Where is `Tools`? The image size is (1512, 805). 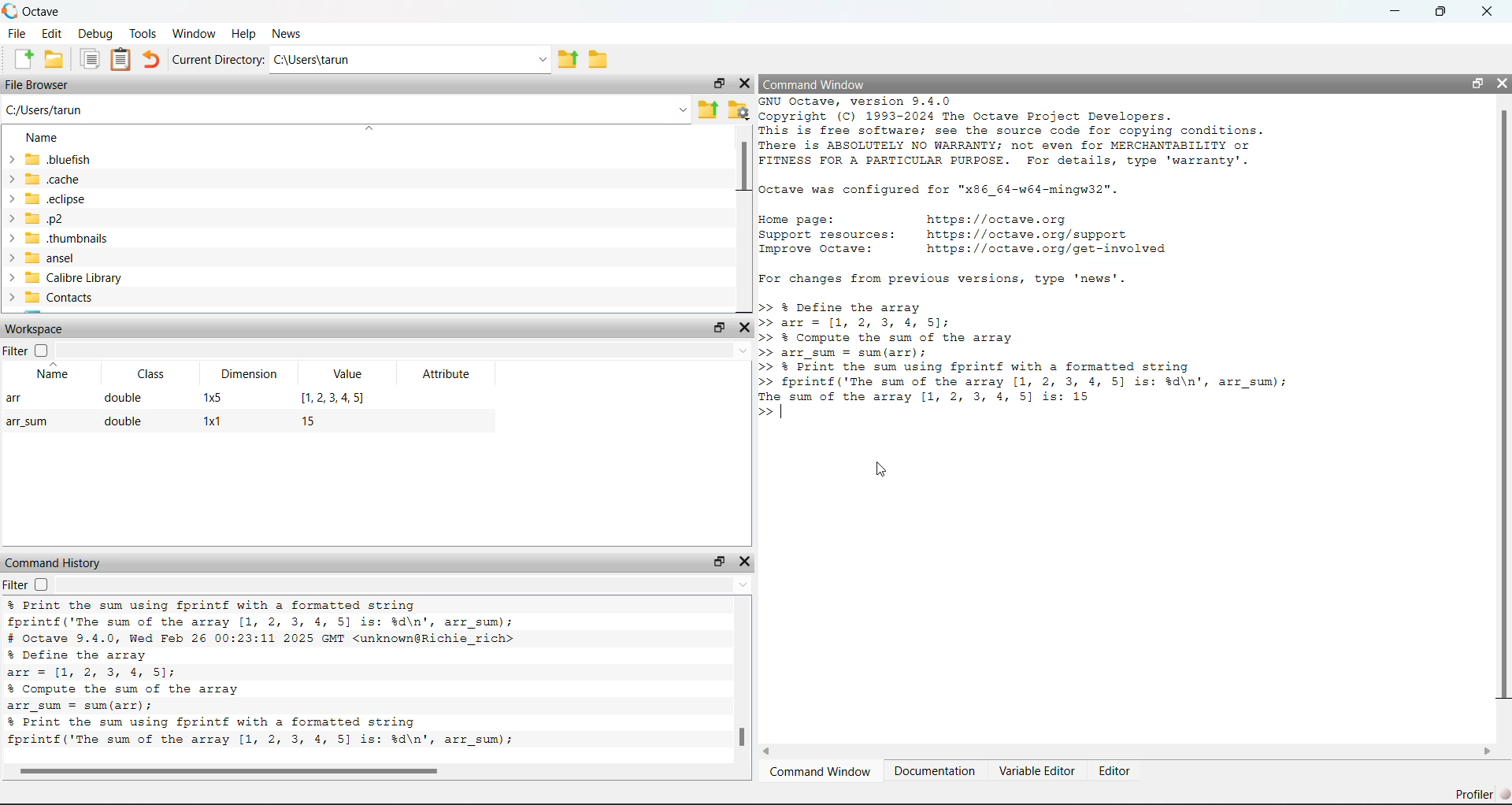
Tools is located at coordinates (144, 33).